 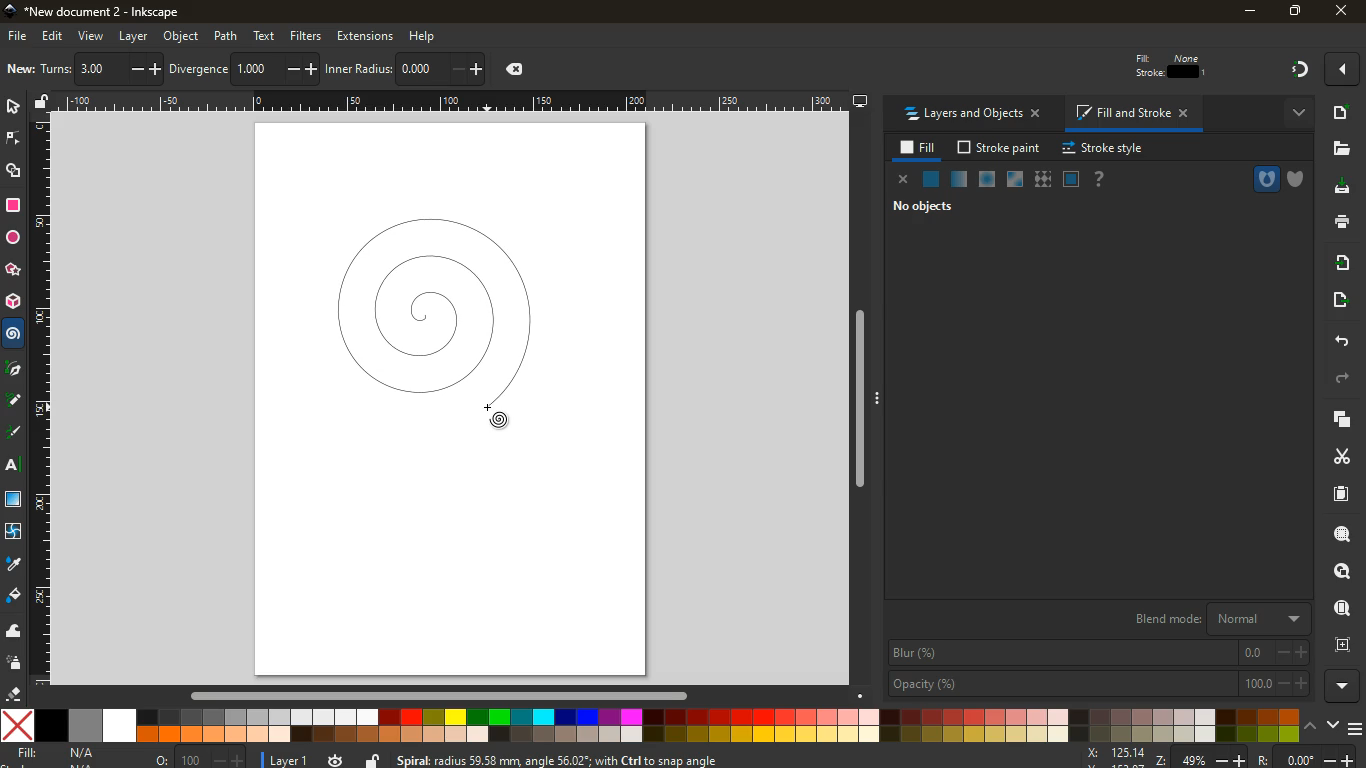 What do you see at coordinates (1341, 686) in the screenshot?
I see `more` at bounding box center [1341, 686].